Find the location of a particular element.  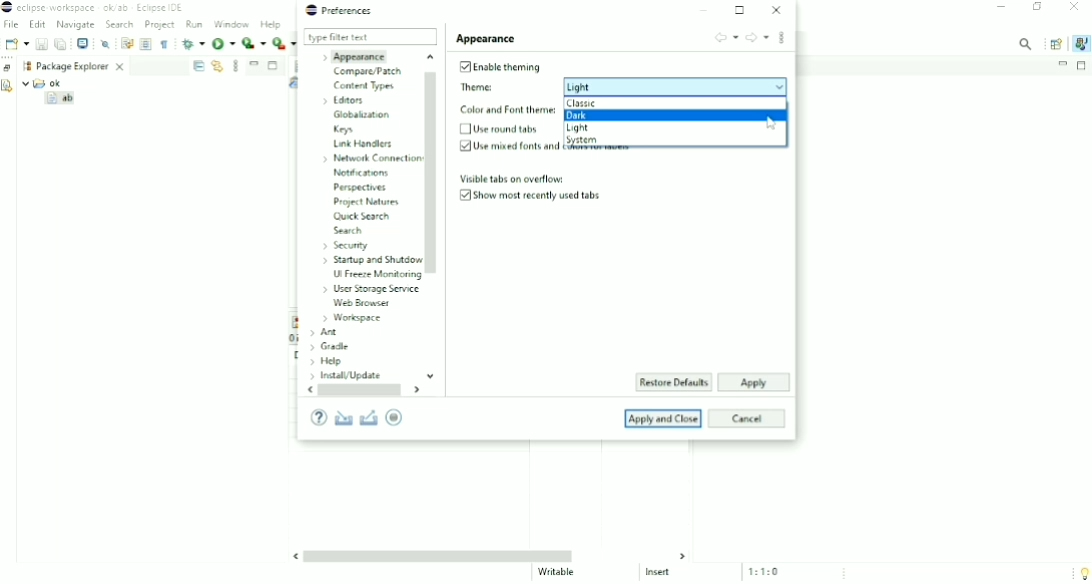

Back is located at coordinates (727, 36).